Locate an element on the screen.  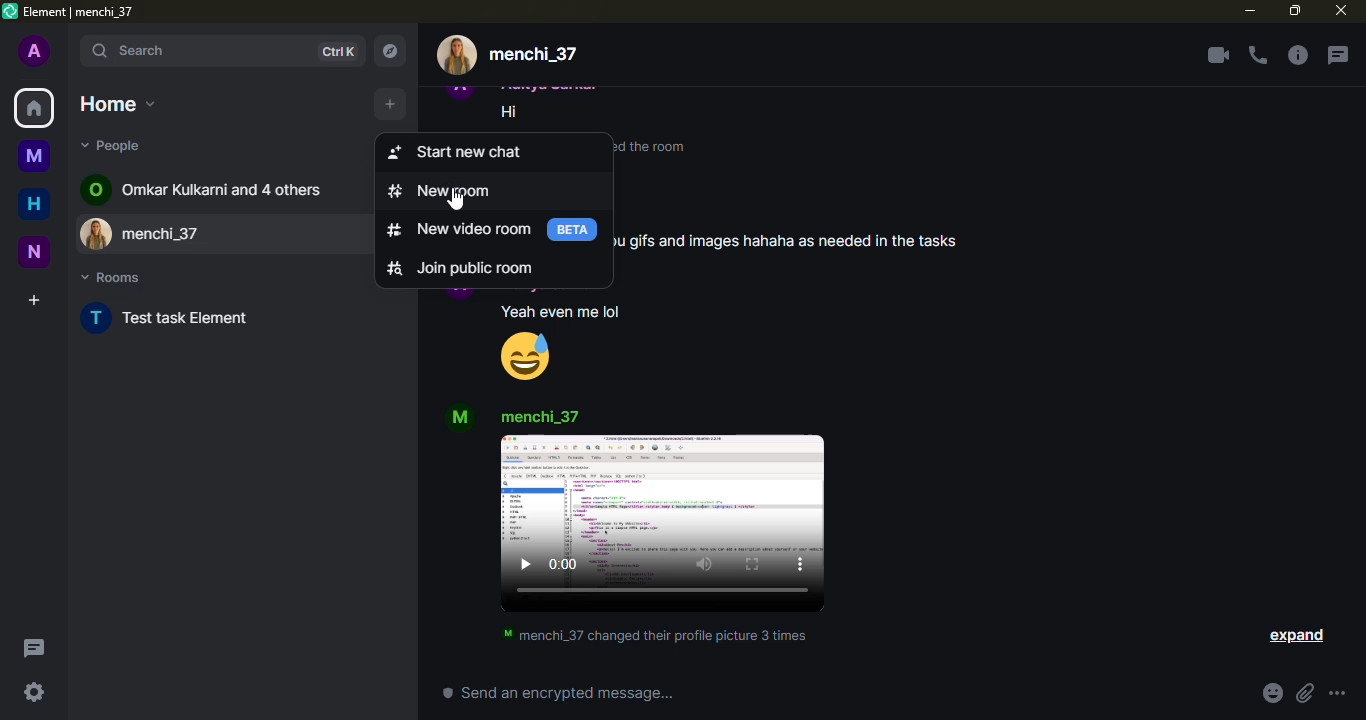
new is located at coordinates (34, 252).